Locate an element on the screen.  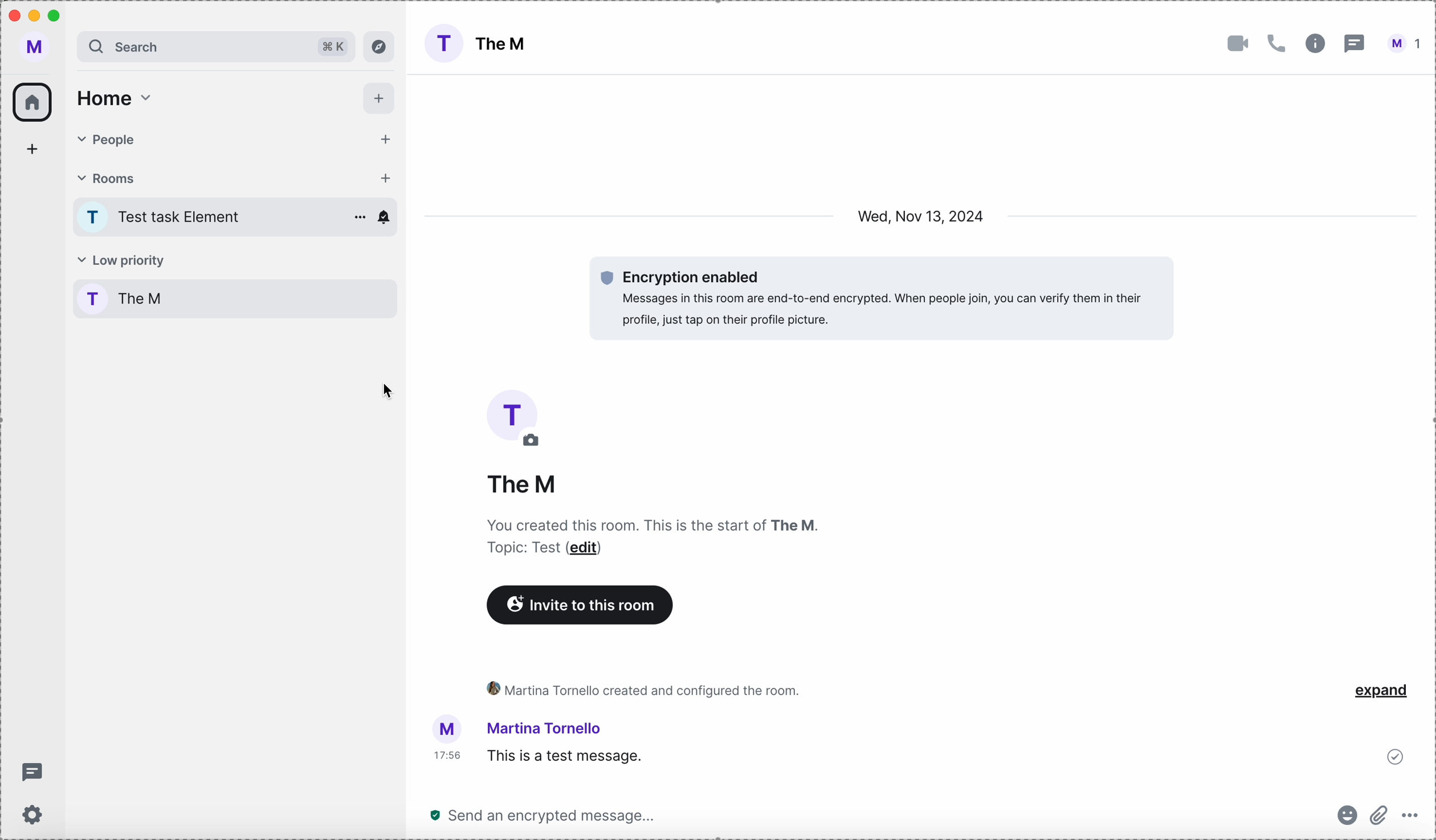
maximize is located at coordinates (55, 15).